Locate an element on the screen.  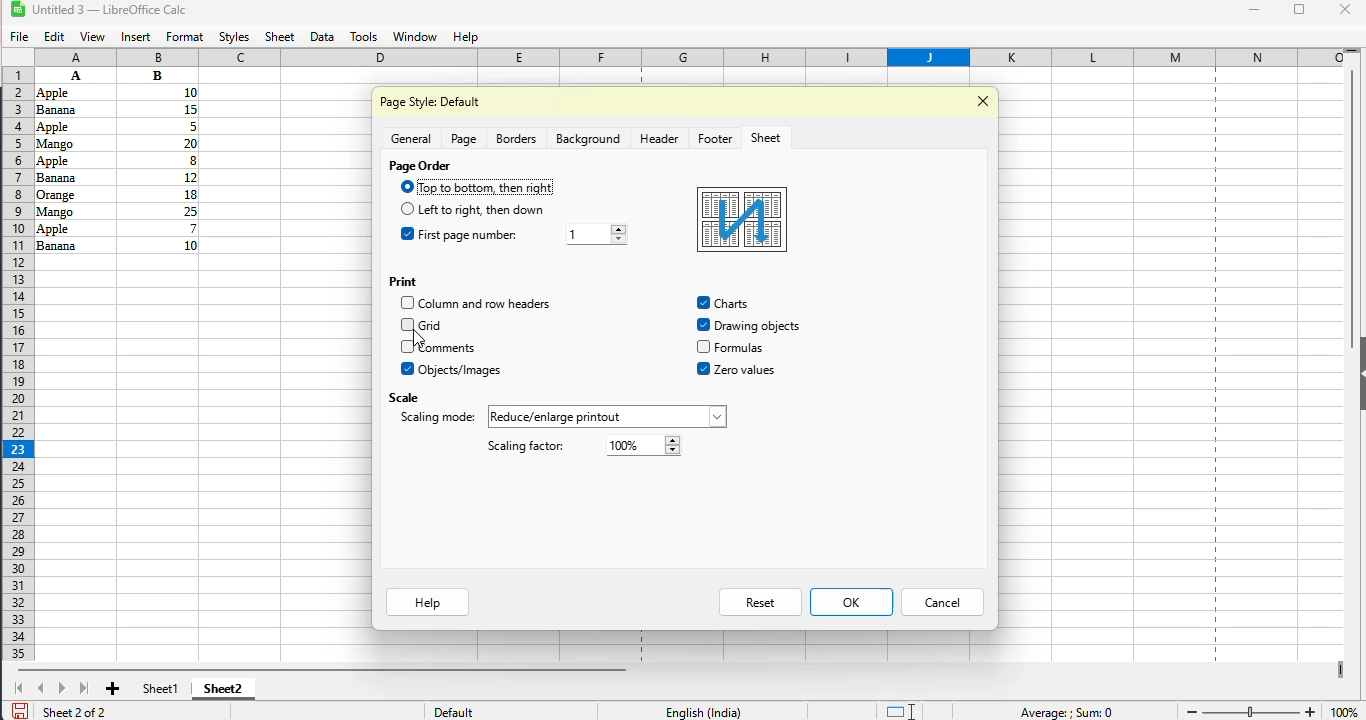
vertical scroll bar is located at coordinates (1352, 209).